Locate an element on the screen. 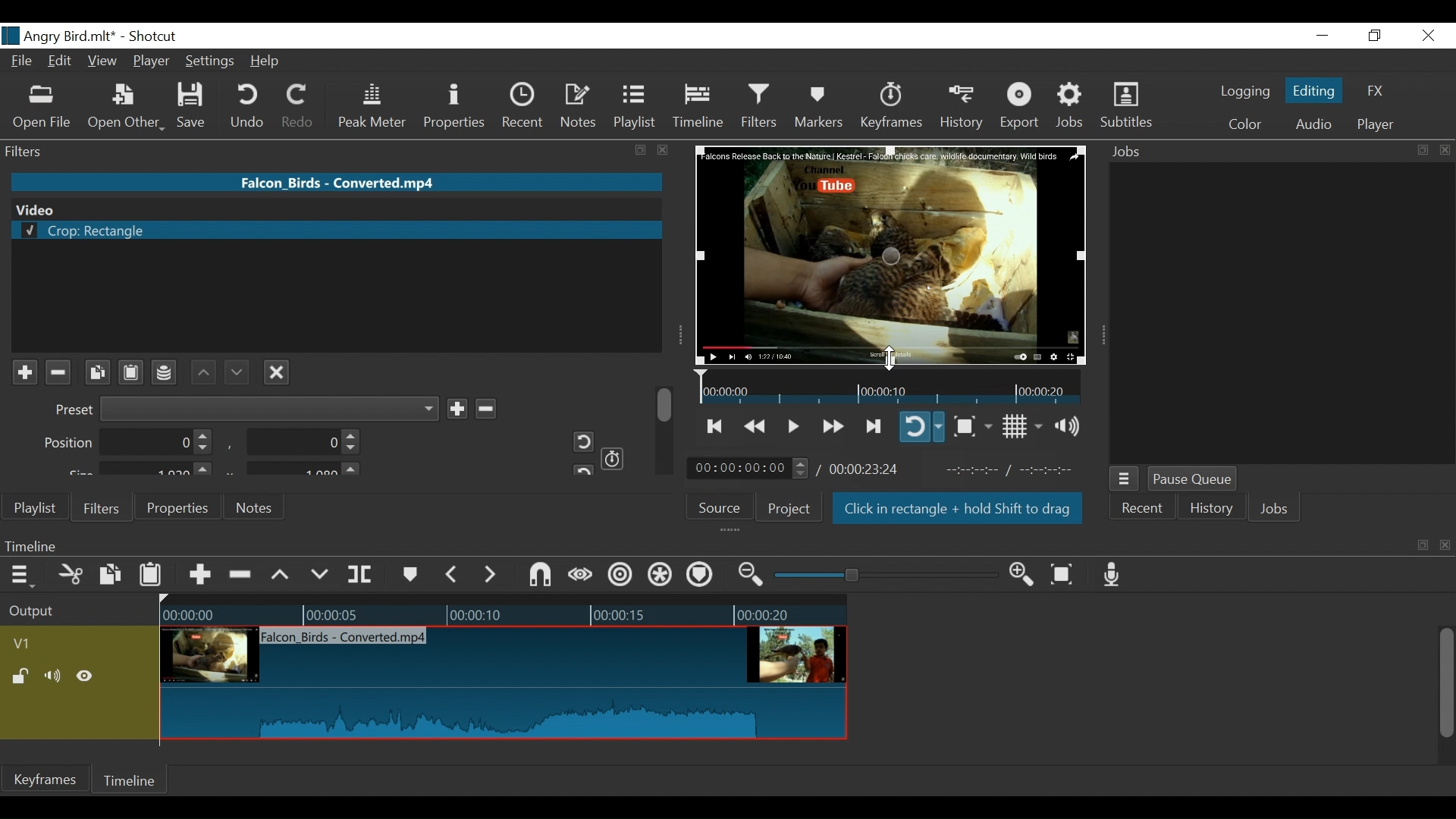 The height and width of the screenshot is (819, 1456). Next Marker is located at coordinates (492, 574).